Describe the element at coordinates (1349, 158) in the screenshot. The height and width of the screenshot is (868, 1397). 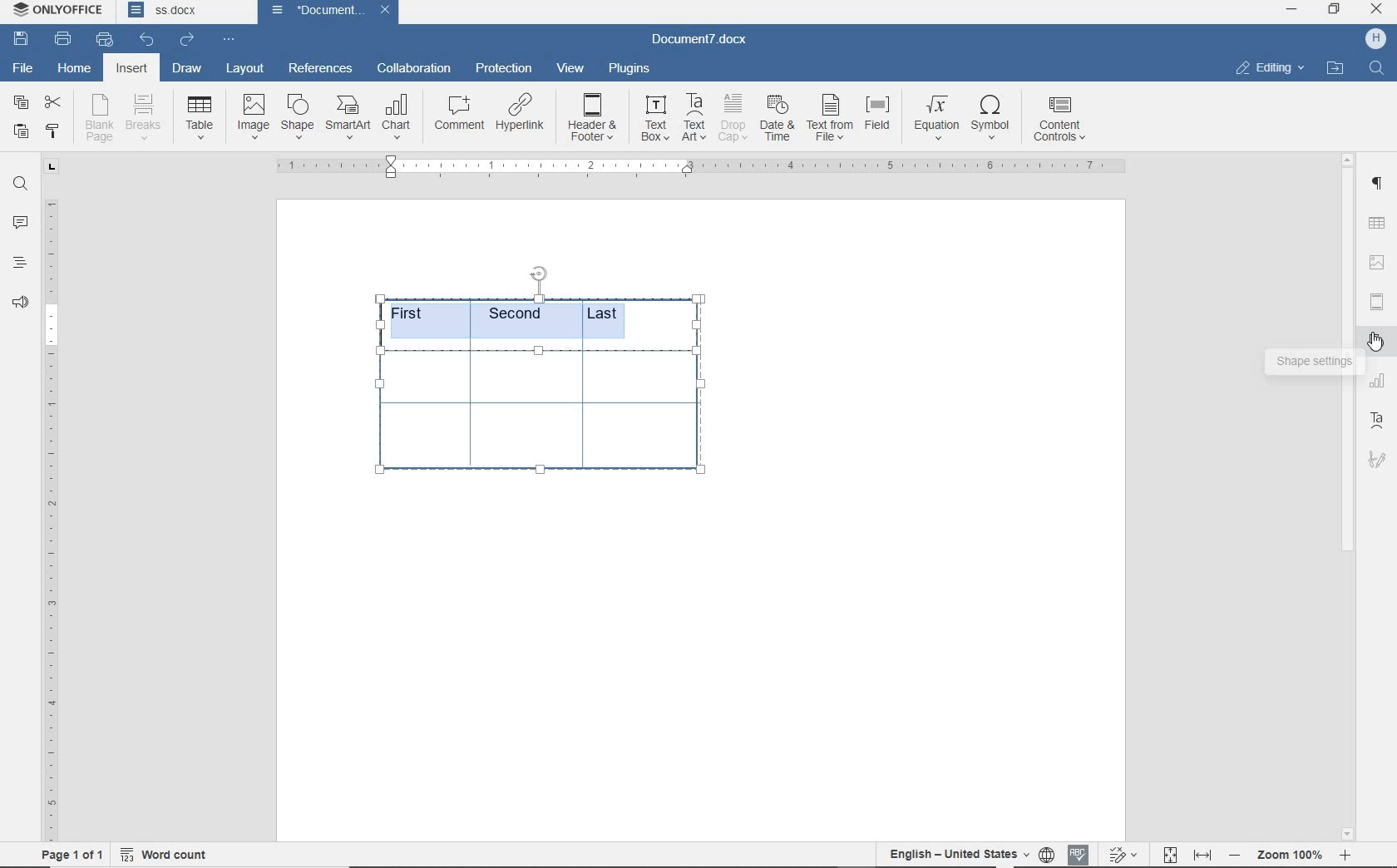
I see `scroll up` at that location.